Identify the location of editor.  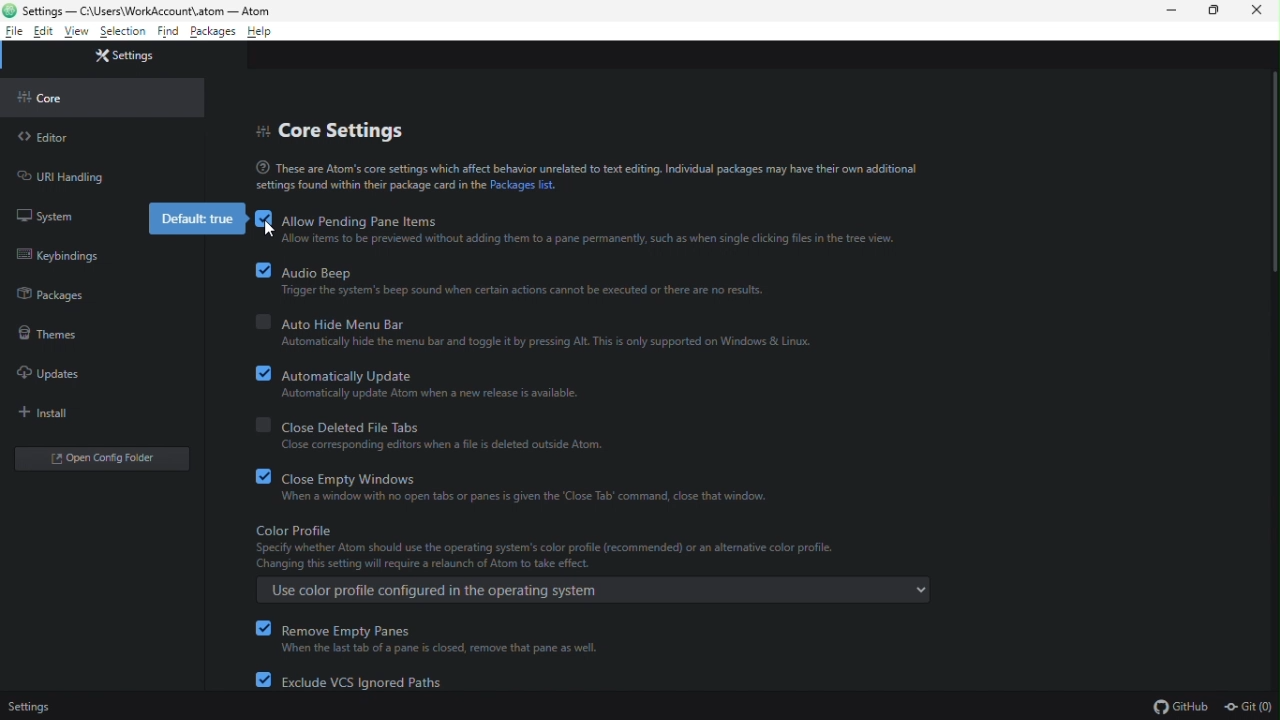
(62, 138).